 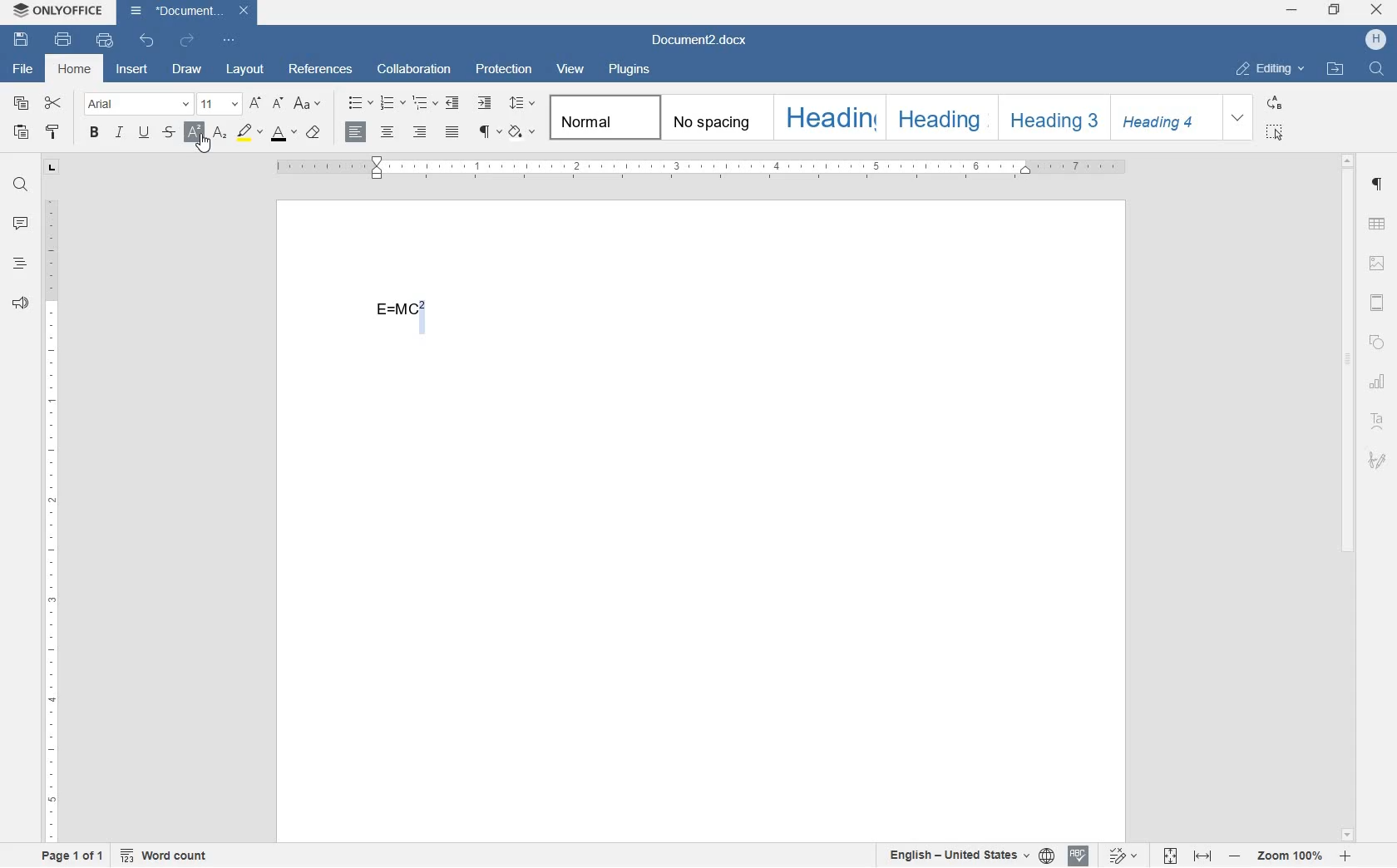 I want to click on font size, so click(x=220, y=104).